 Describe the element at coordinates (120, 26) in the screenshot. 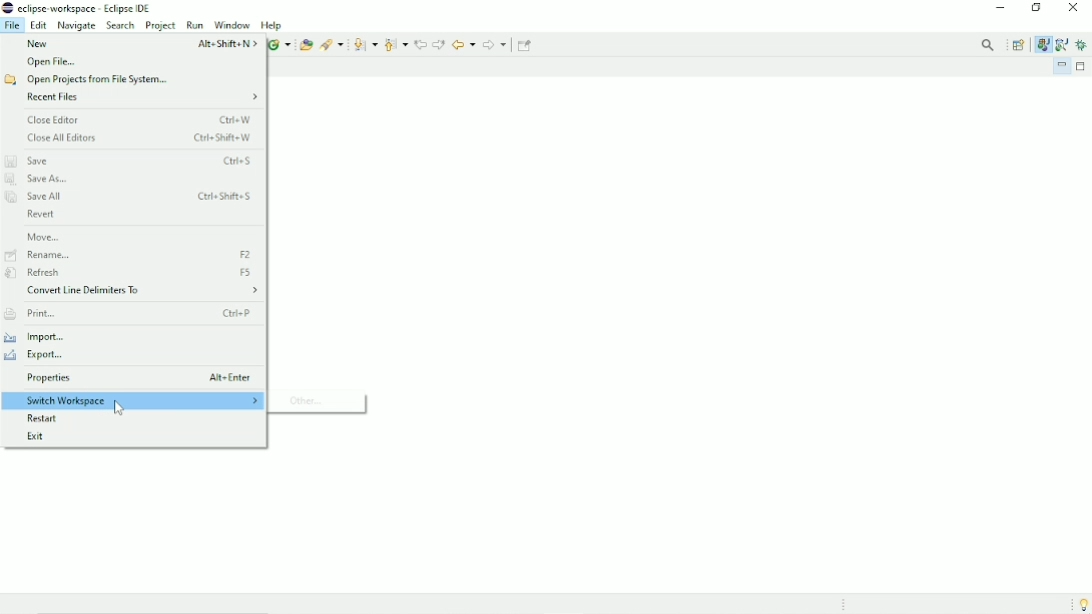

I see `Search` at that location.